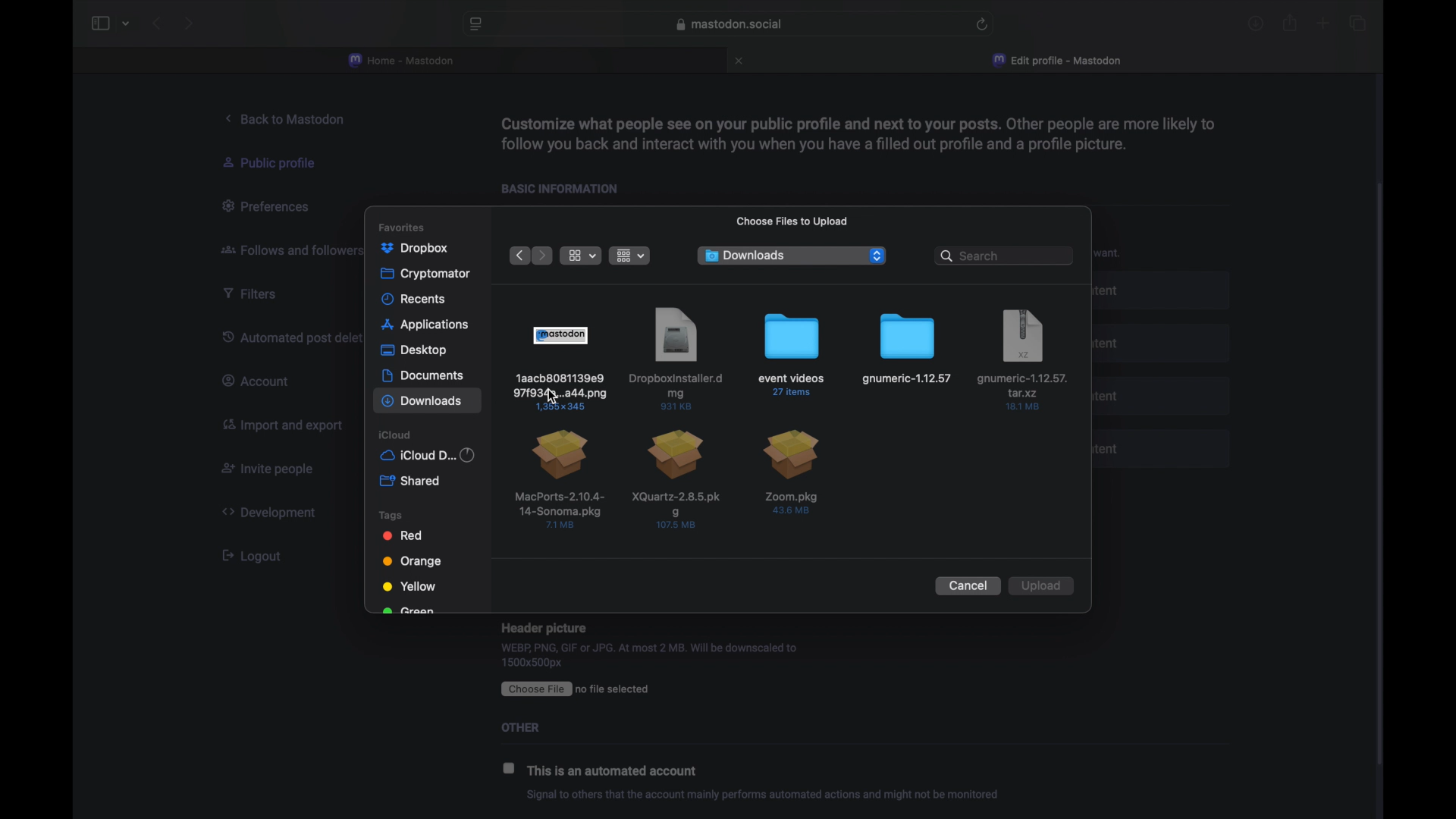 The width and height of the screenshot is (1456, 819). Describe the element at coordinates (99, 24) in the screenshot. I see `sidebar` at that location.